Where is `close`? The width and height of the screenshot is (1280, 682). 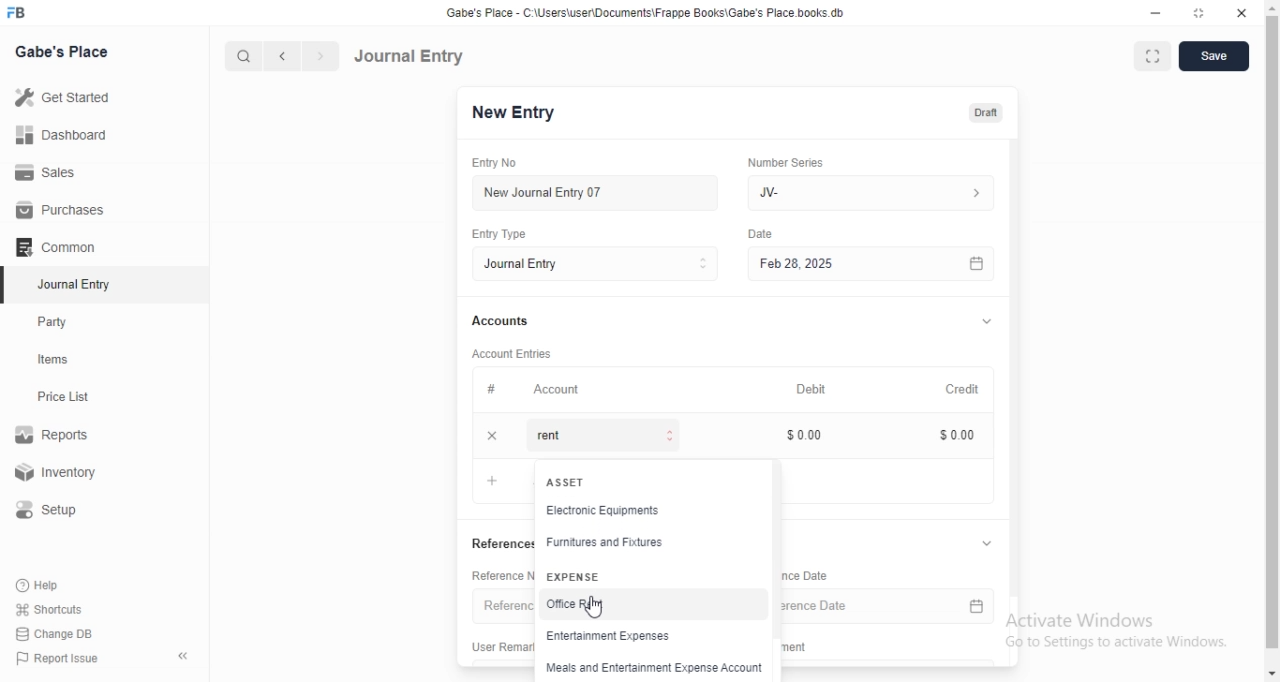
close is located at coordinates (1241, 12).